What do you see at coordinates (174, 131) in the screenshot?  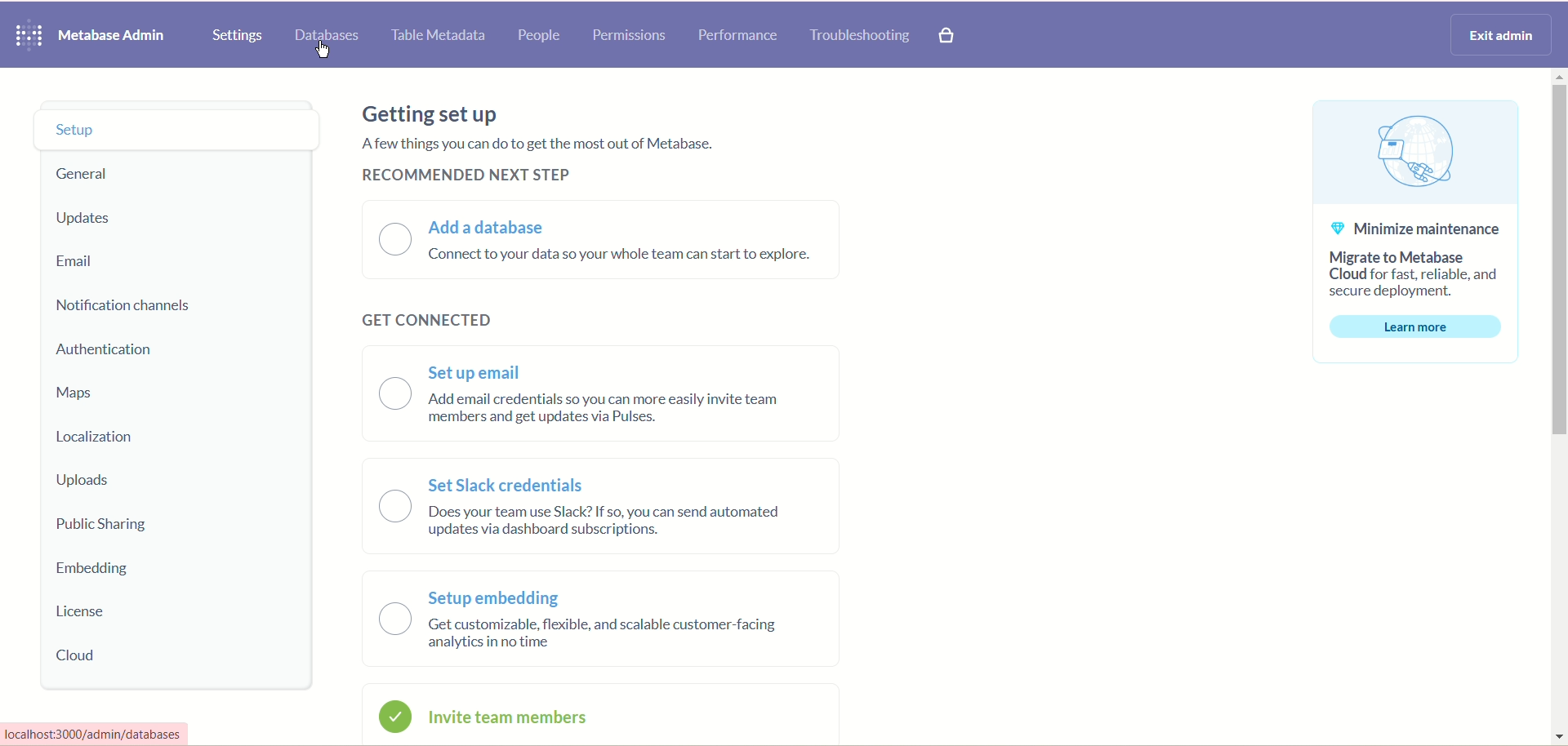 I see `setup` at bounding box center [174, 131].